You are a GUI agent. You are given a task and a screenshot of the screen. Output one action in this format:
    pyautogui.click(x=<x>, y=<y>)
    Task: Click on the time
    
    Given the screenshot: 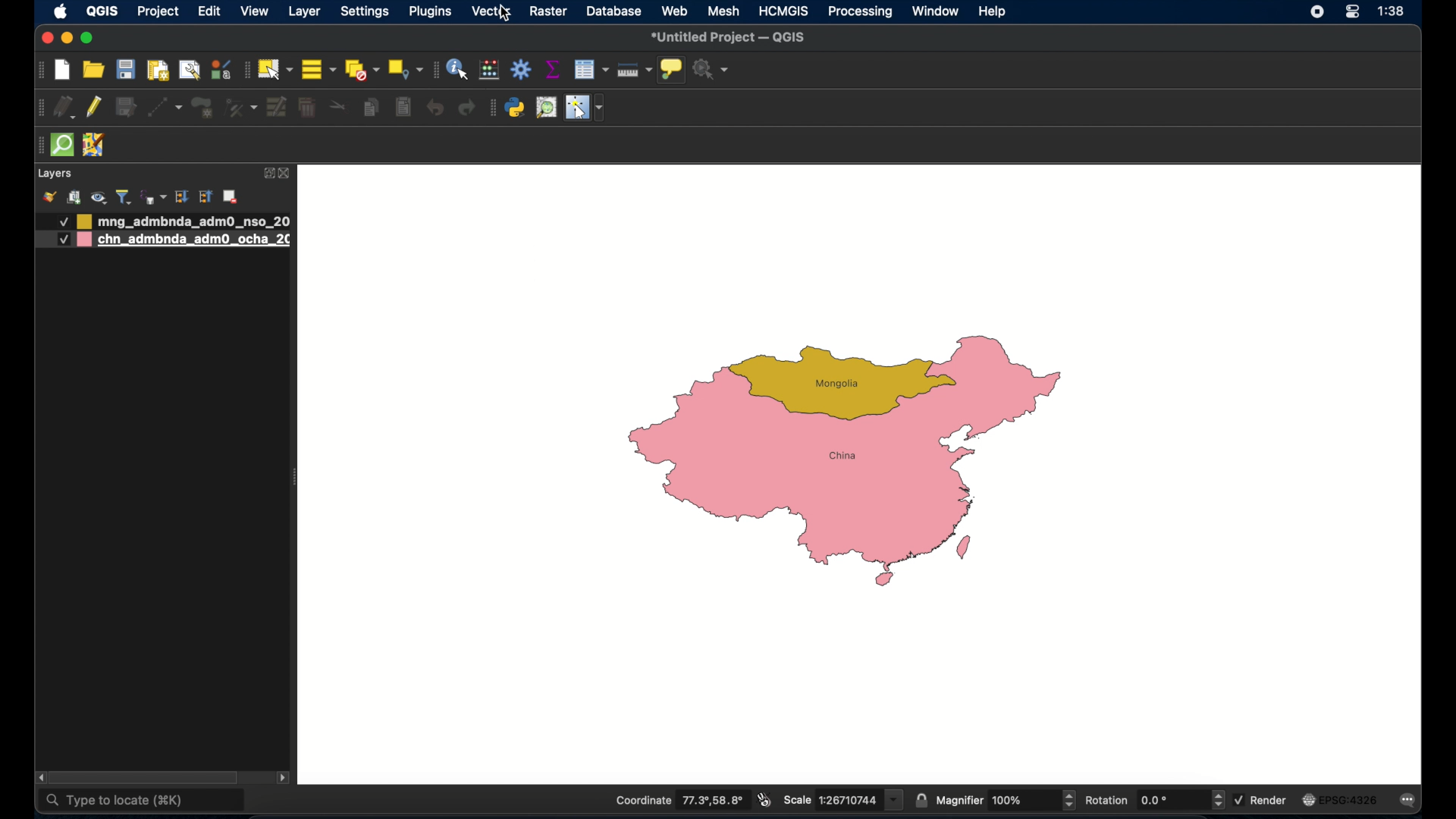 What is the action you would take?
    pyautogui.click(x=1394, y=12)
    